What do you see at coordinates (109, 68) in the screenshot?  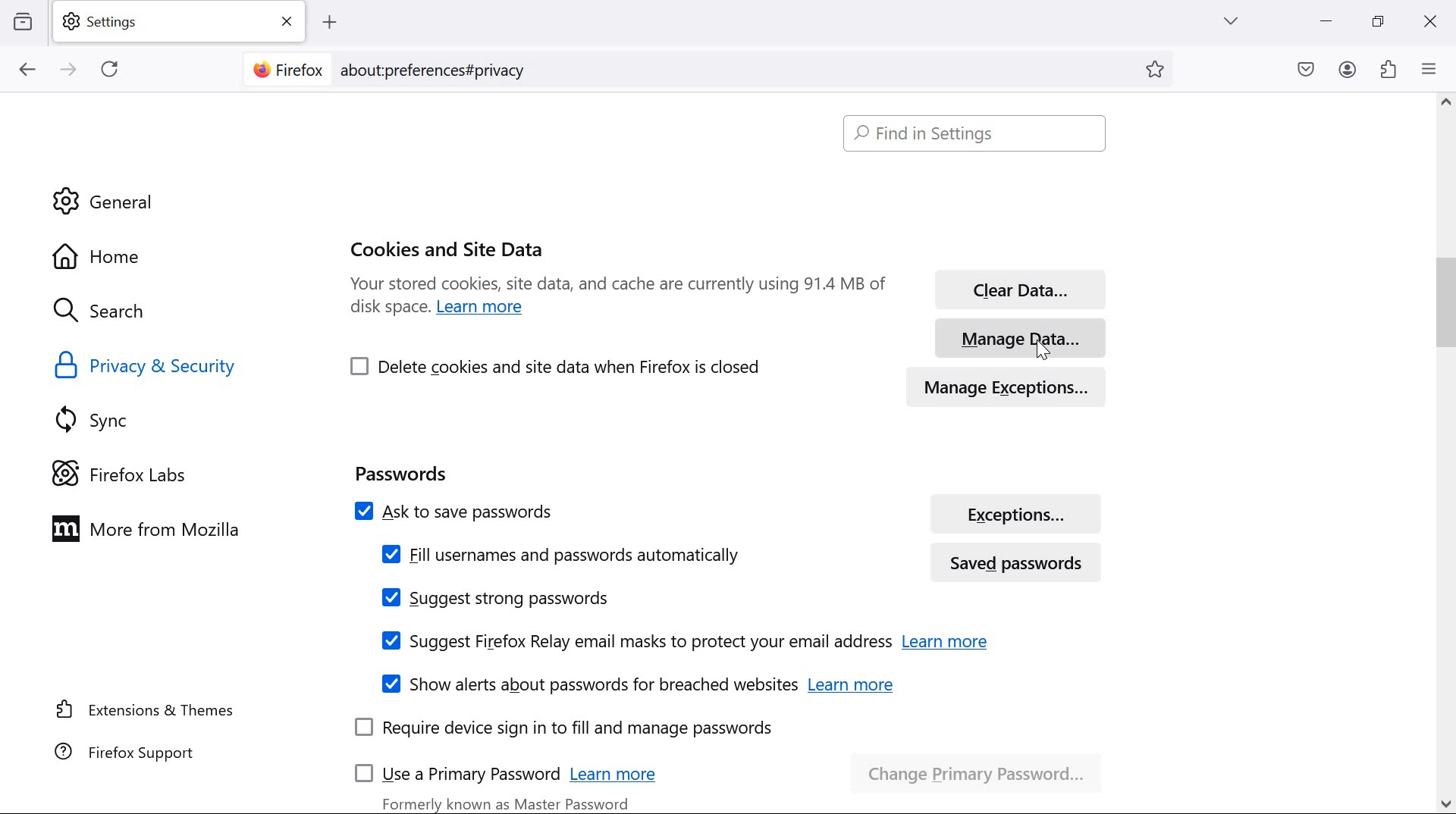 I see `reload` at bounding box center [109, 68].